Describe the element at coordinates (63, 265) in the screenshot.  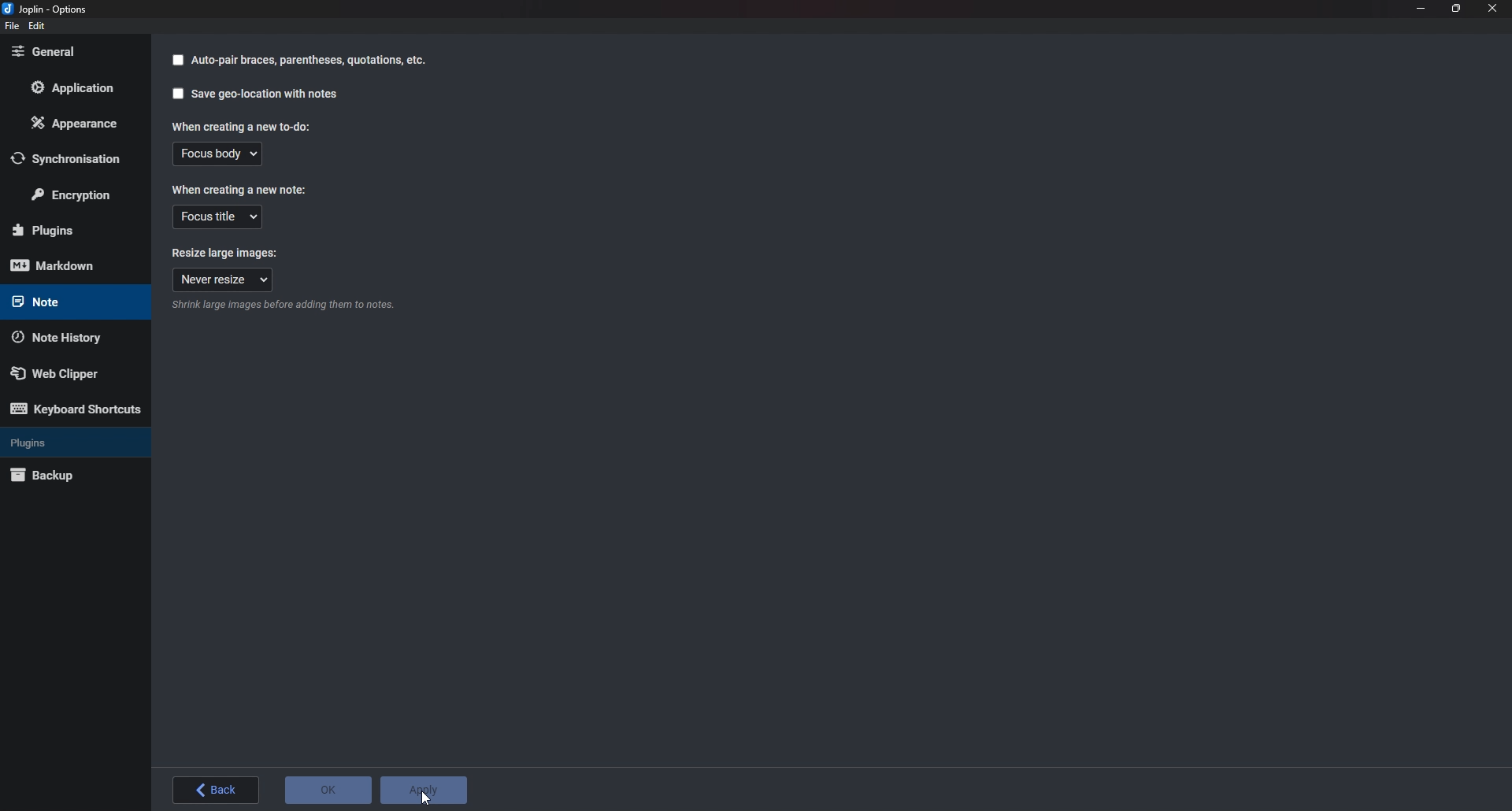
I see `Mark down` at that location.